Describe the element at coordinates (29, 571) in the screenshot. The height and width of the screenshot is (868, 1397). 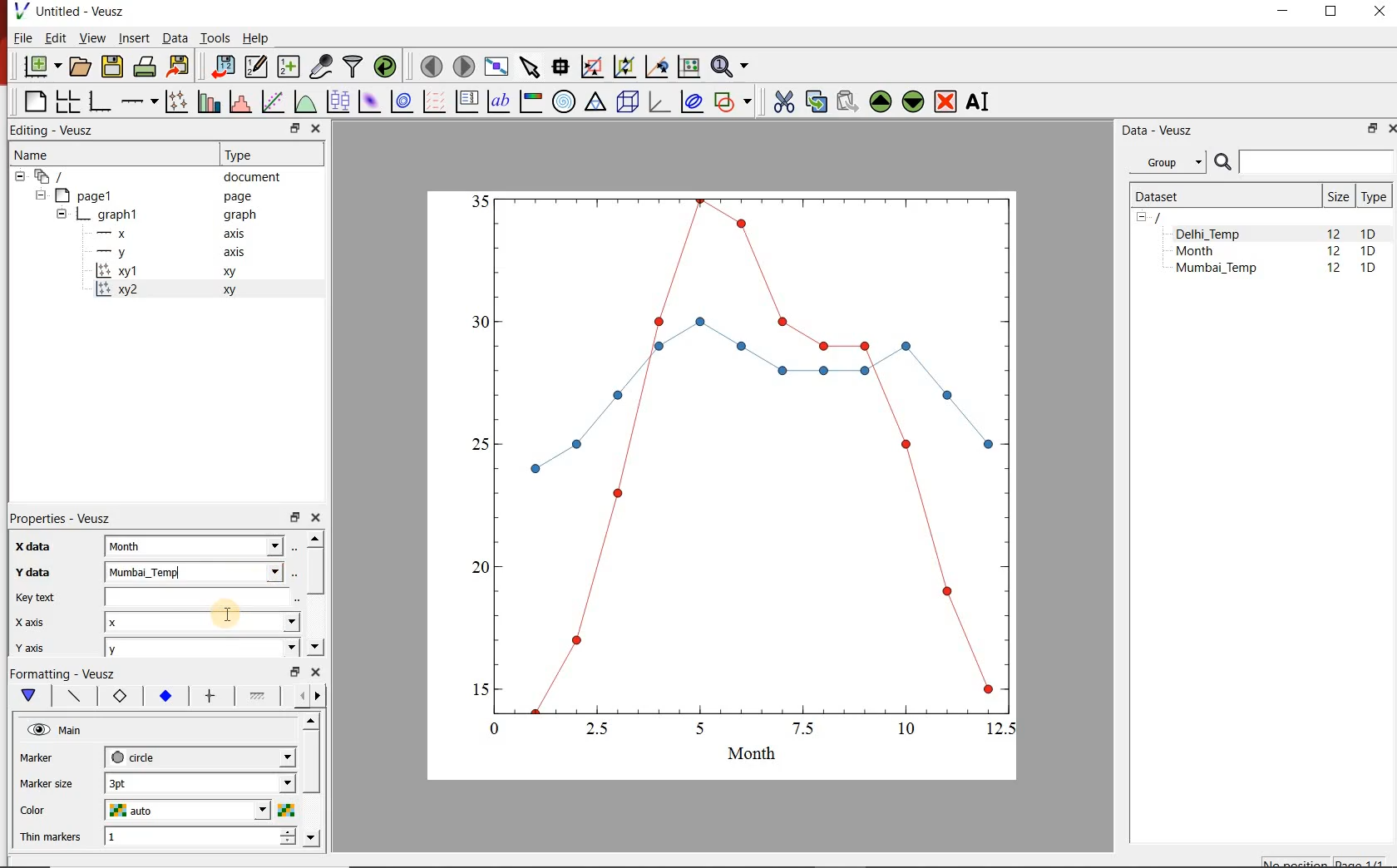
I see `Y data` at that location.